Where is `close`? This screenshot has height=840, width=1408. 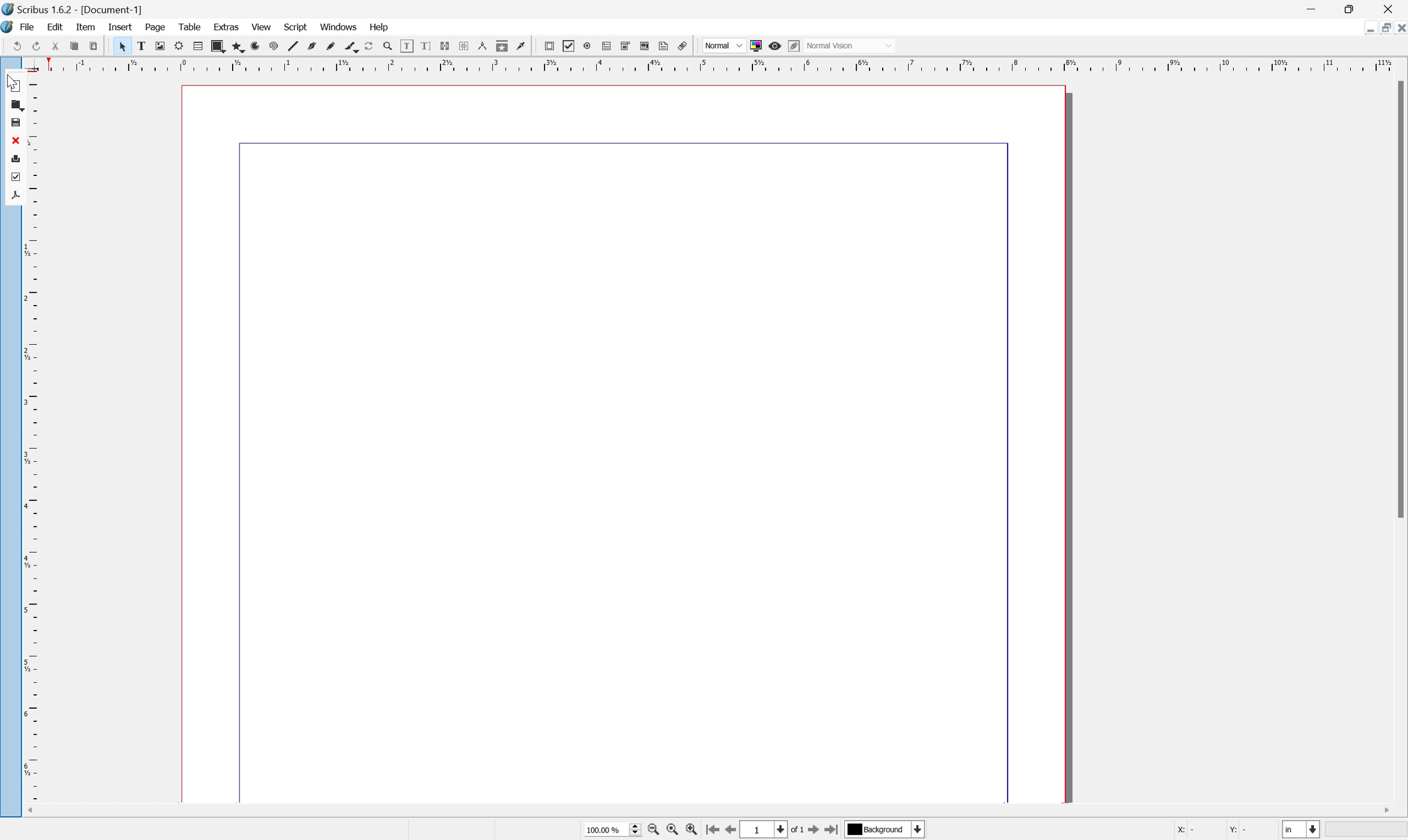 close is located at coordinates (1392, 8).